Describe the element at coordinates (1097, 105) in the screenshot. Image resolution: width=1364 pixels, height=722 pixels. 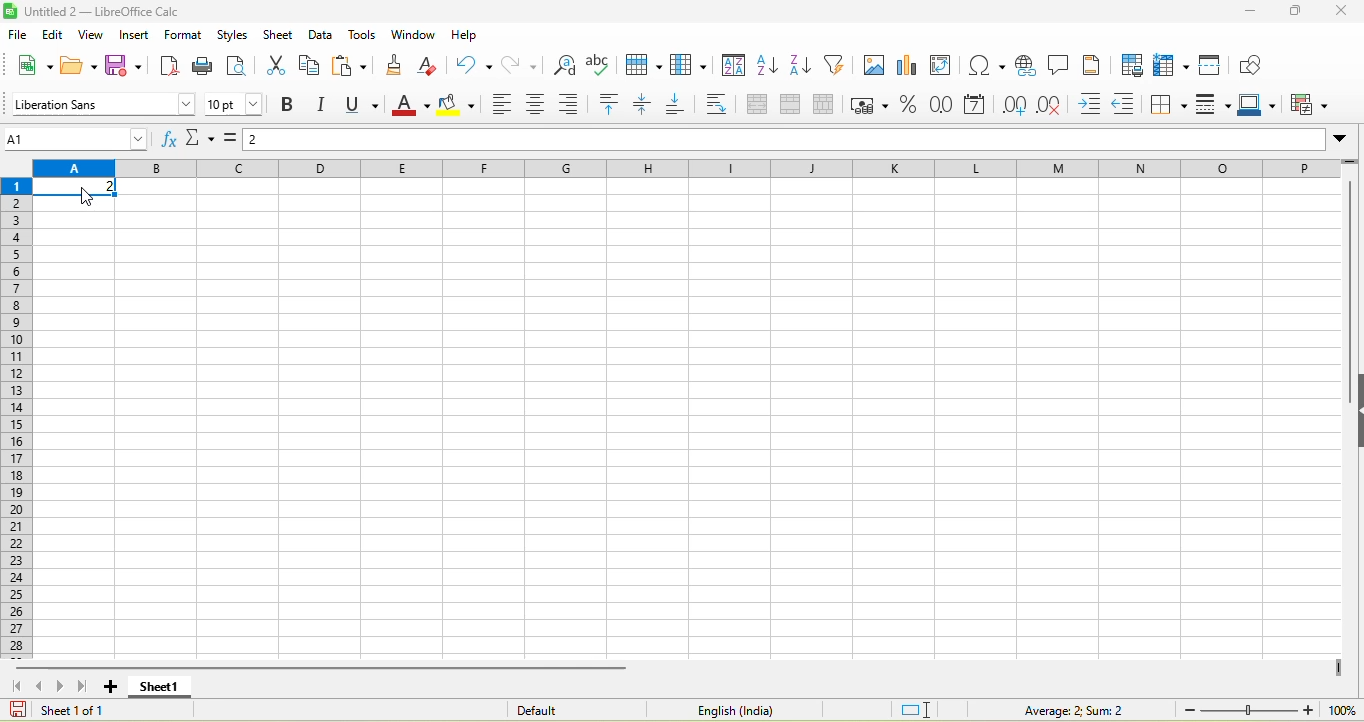
I see `increase indent` at that location.